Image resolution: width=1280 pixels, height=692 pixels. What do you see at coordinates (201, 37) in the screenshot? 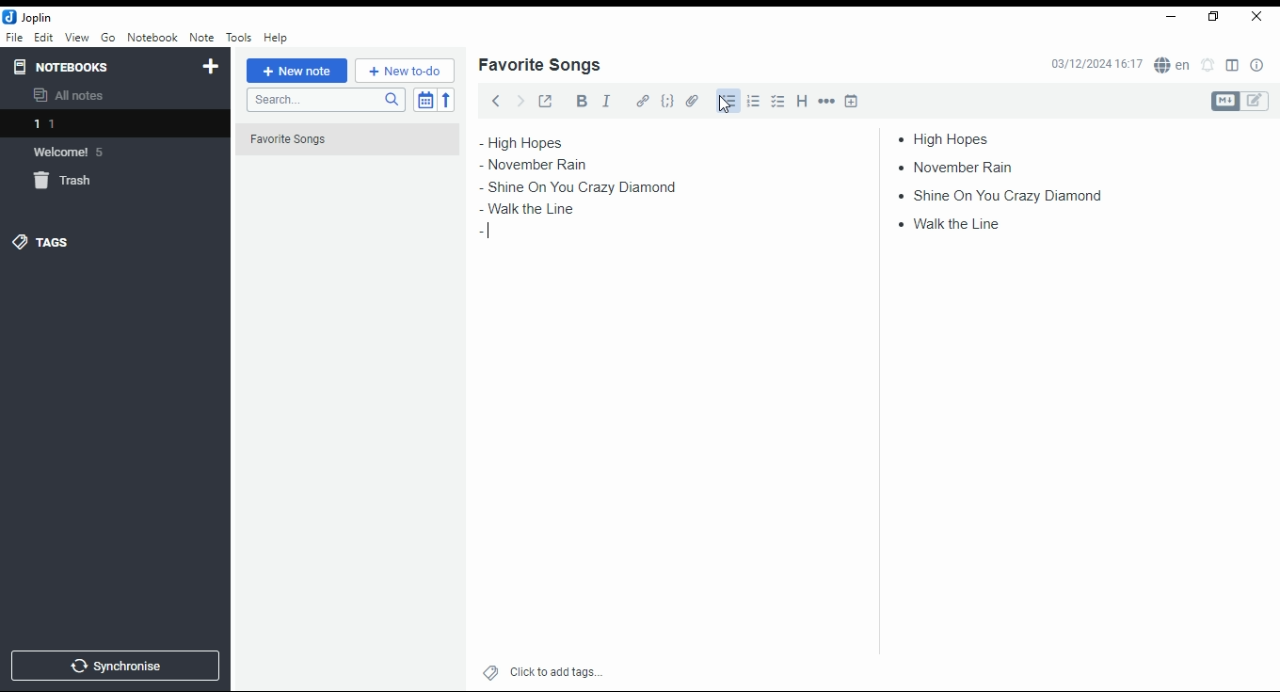
I see `note` at bounding box center [201, 37].